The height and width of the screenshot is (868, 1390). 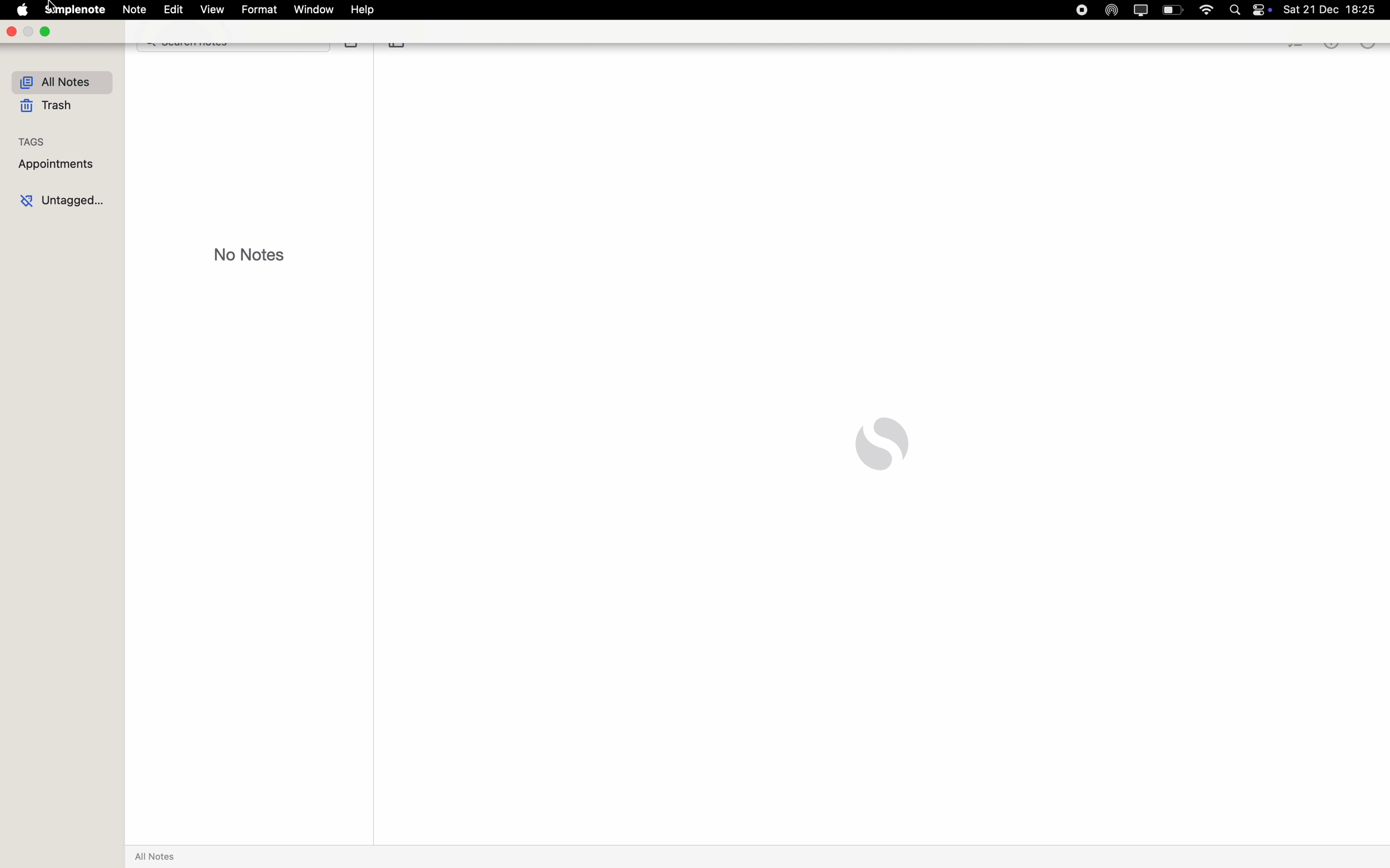 I want to click on Simplenote, so click(x=83, y=9).